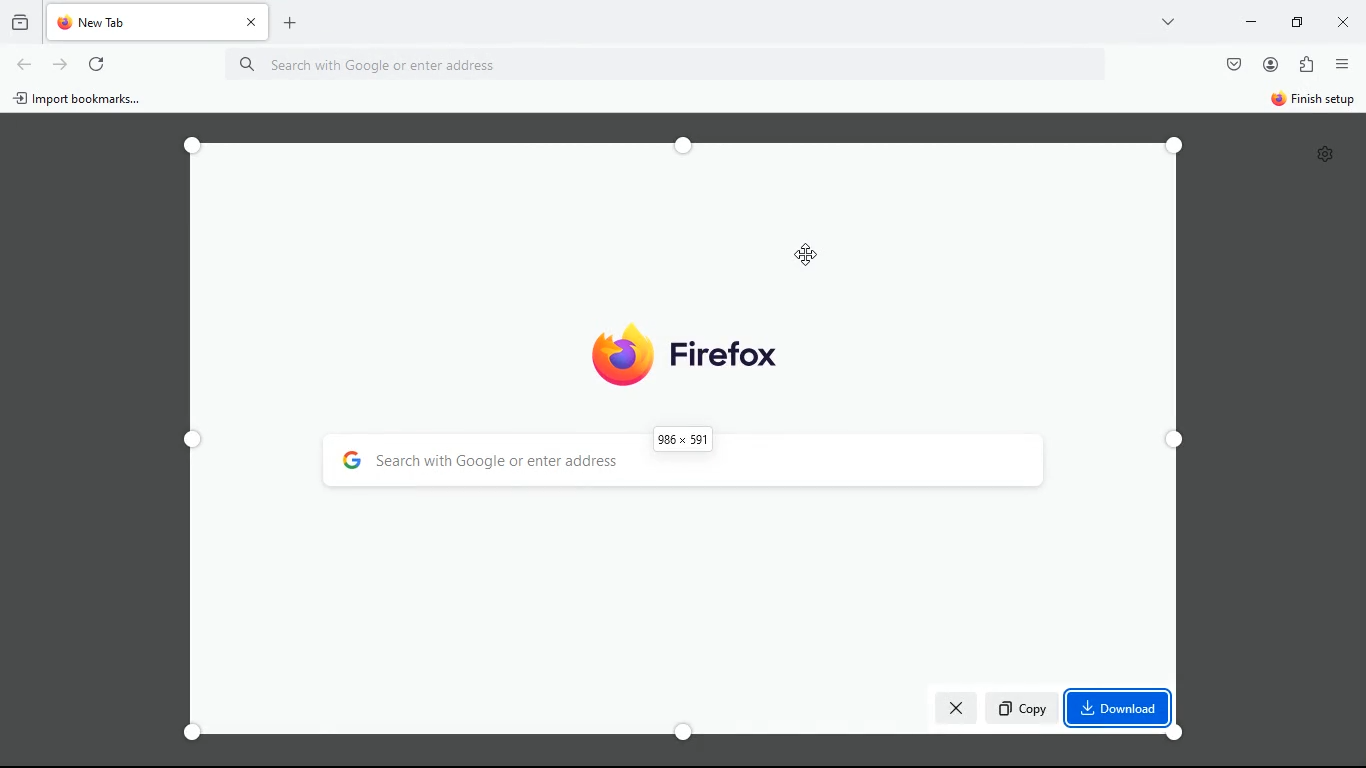  I want to click on more, so click(1169, 21).